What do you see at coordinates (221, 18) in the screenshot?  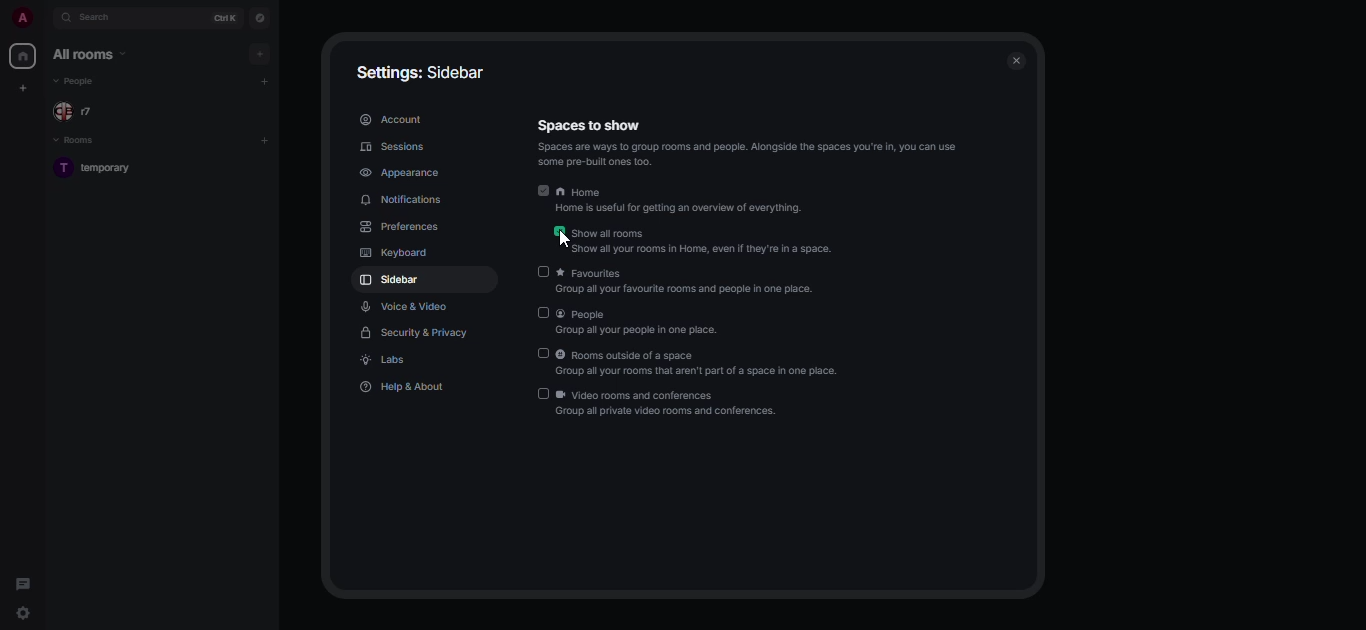 I see `ctrl K` at bounding box center [221, 18].